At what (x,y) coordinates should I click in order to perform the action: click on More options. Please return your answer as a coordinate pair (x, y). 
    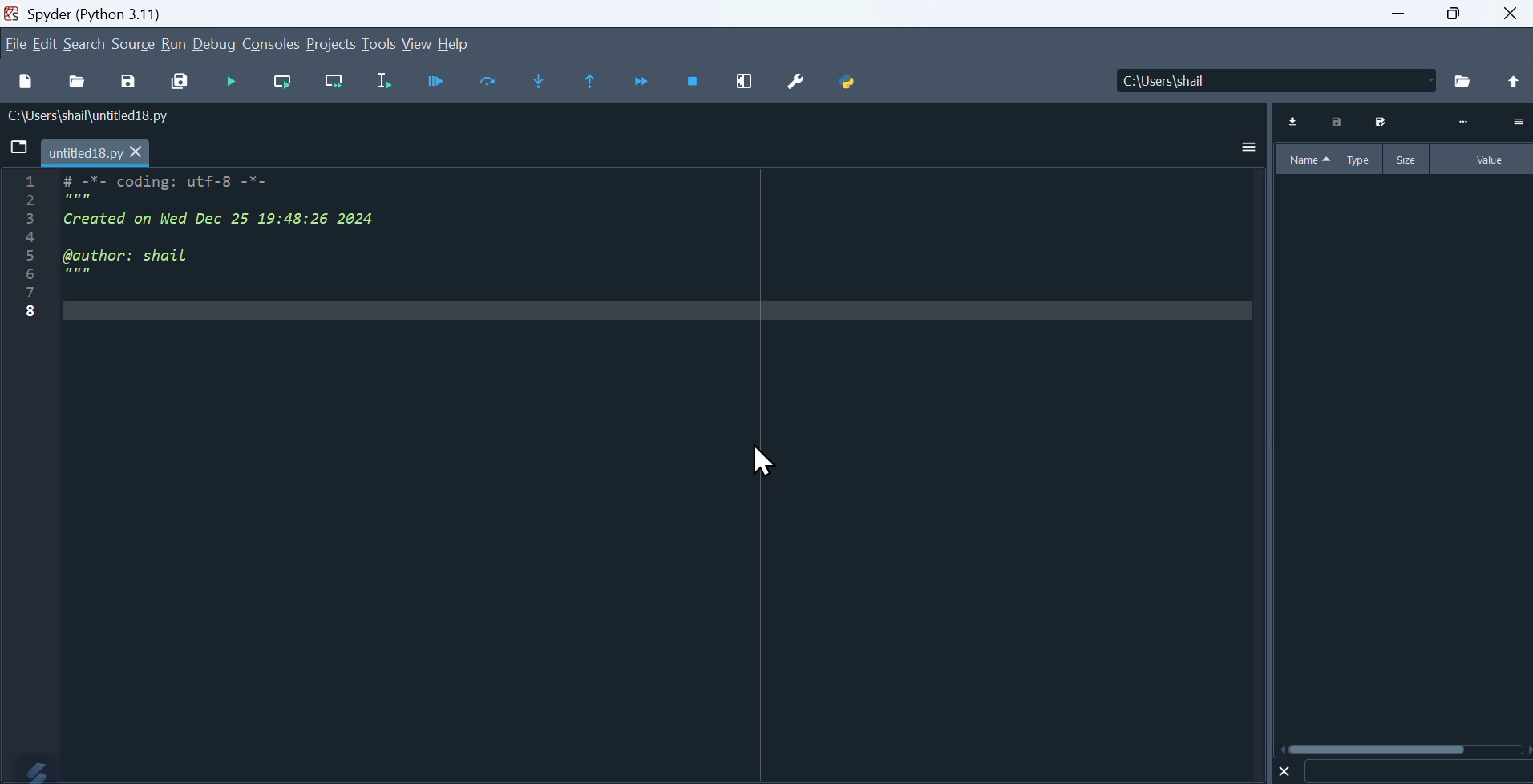
    Looking at the image, I should click on (1249, 146).